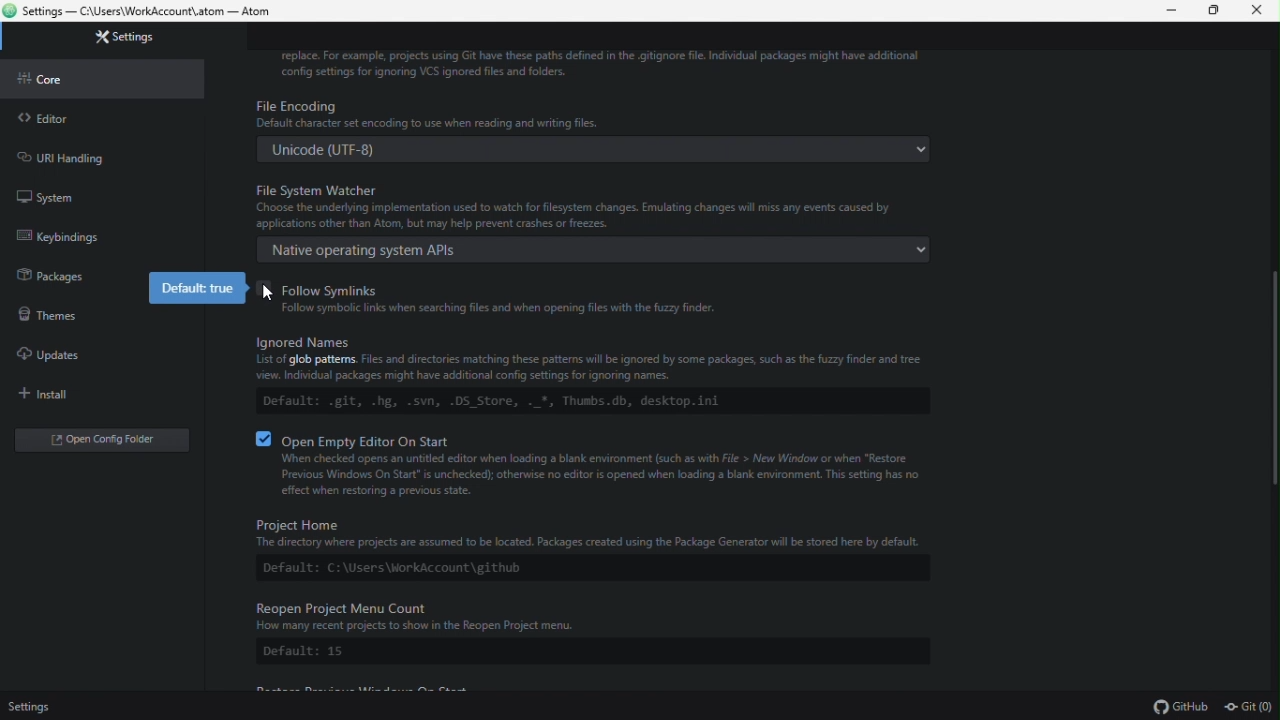 This screenshot has height=720, width=1280. Describe the element at coordinates (1217, 11) in the screenshot. I see `Restore` at that location.